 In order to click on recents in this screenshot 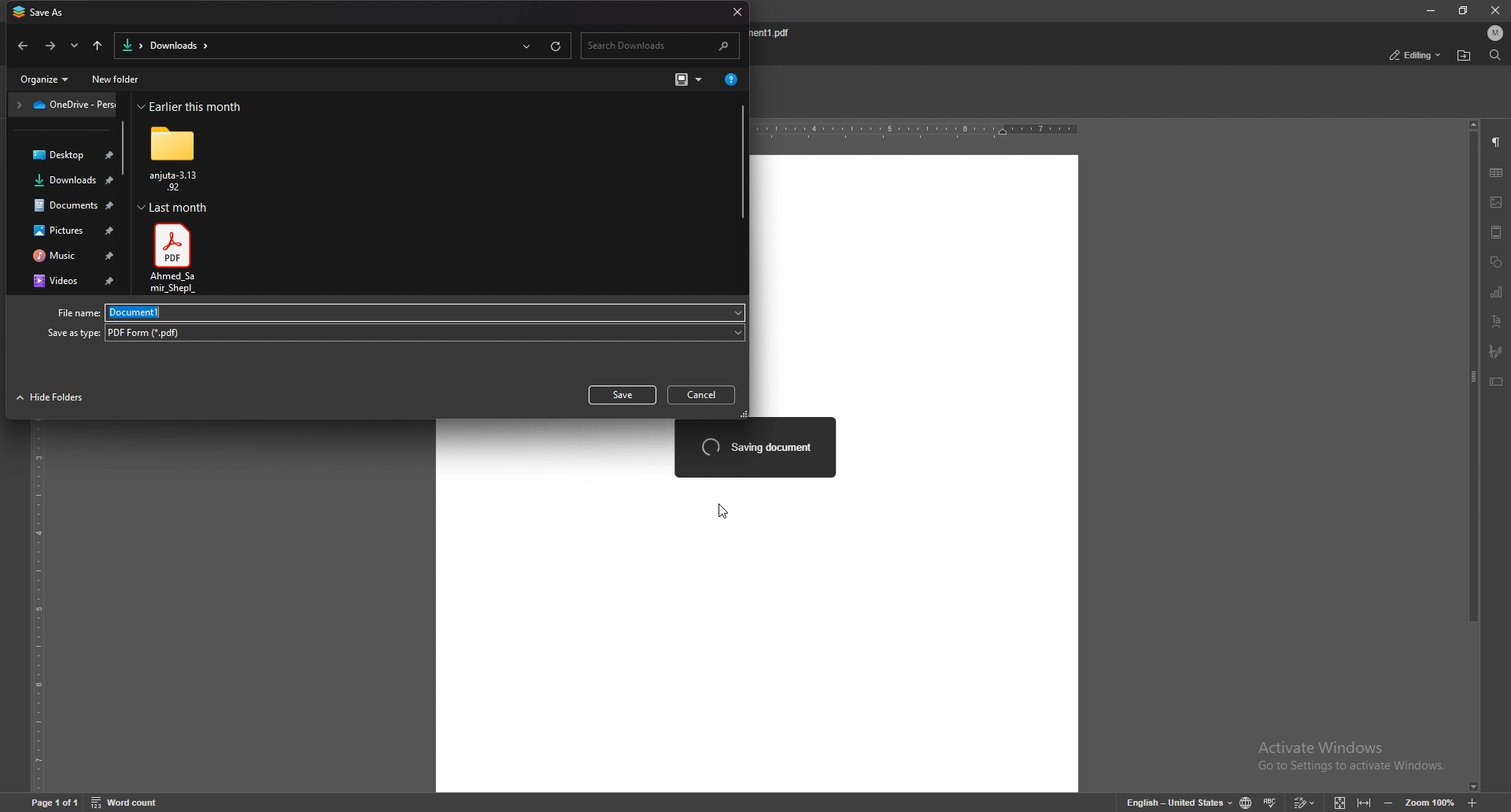, I will do `click(76, 46)`.